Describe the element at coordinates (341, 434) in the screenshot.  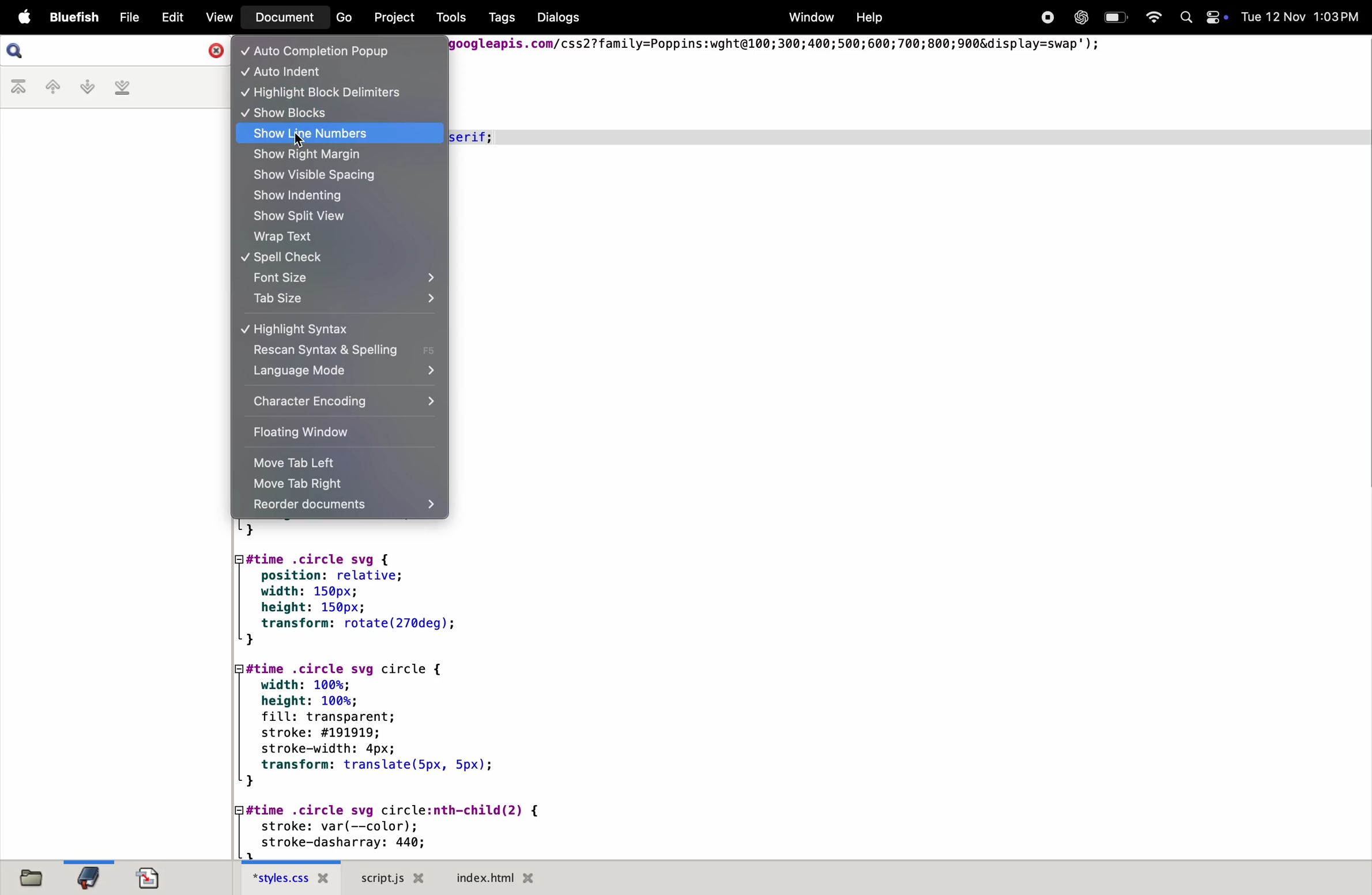
I see `floating window` at that location.